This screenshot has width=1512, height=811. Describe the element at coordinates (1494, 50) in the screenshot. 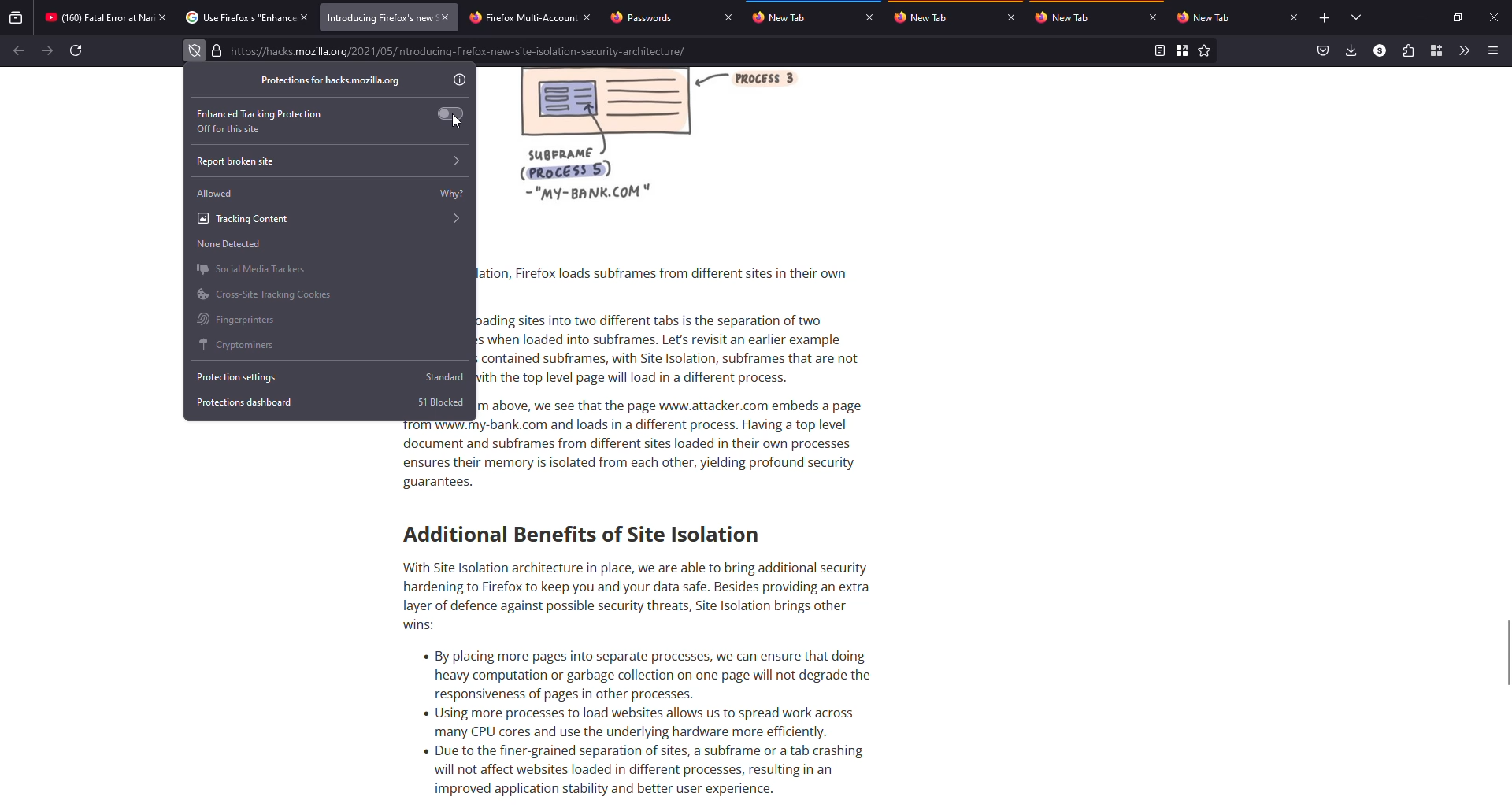

I see `menu` at that location.